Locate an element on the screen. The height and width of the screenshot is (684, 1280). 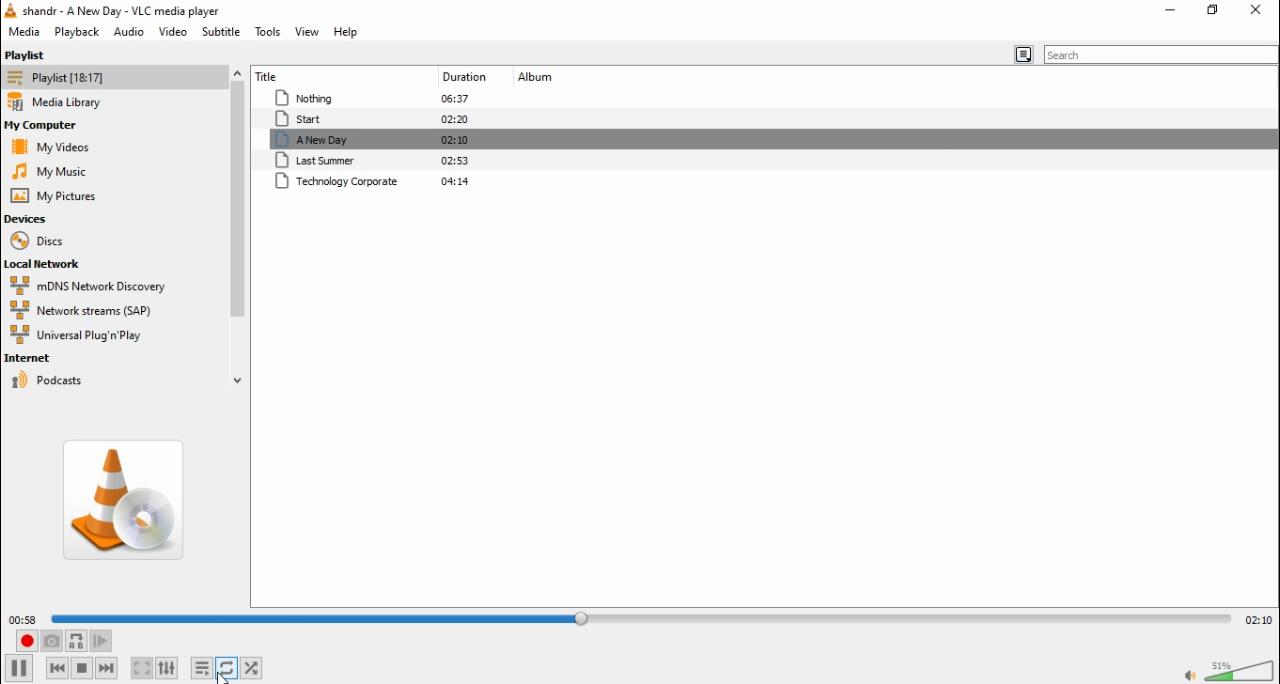
album is located at coordinates (537, 78).